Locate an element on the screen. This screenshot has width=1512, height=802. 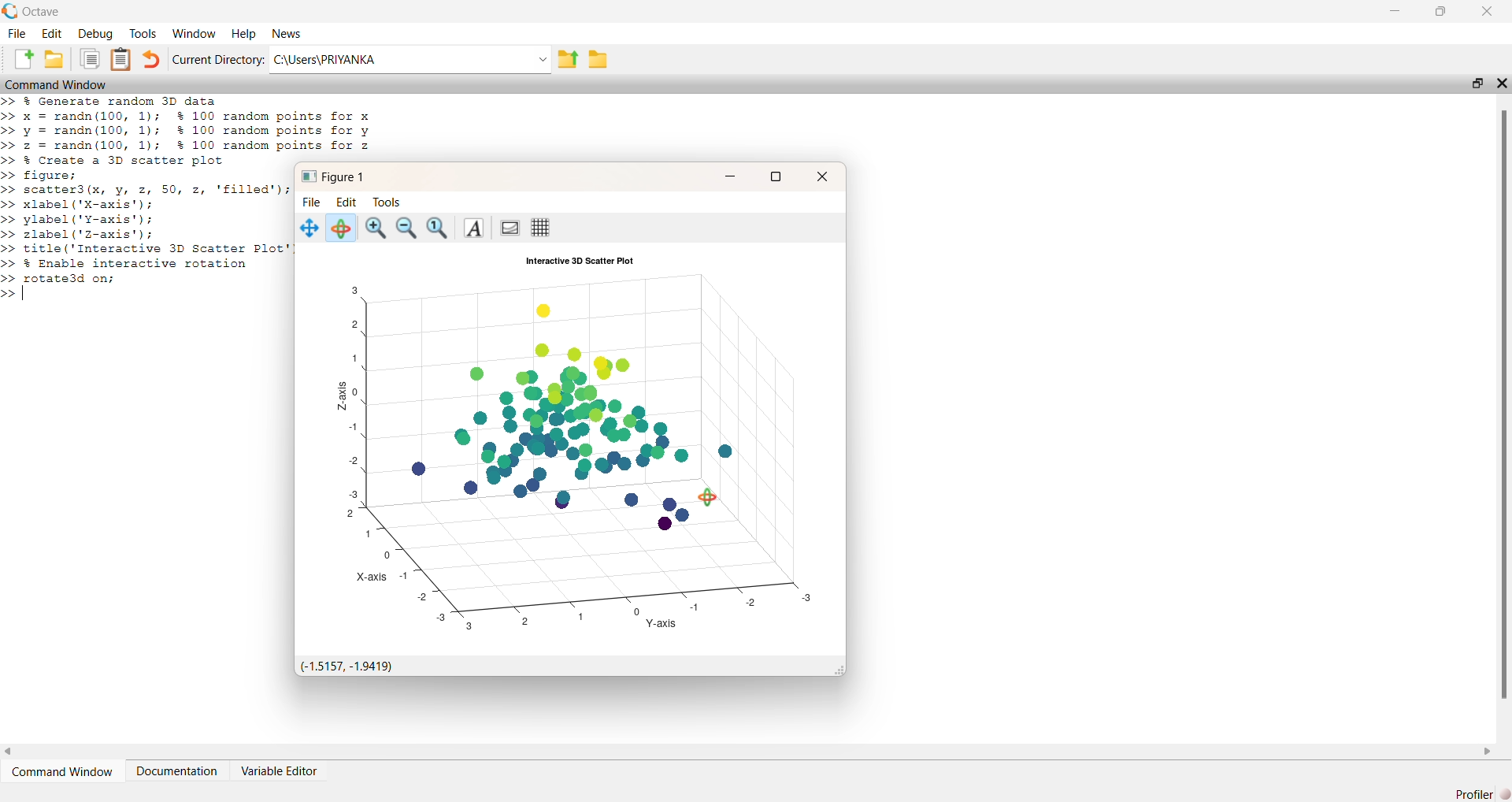
font is located at coordinates (472, 228).